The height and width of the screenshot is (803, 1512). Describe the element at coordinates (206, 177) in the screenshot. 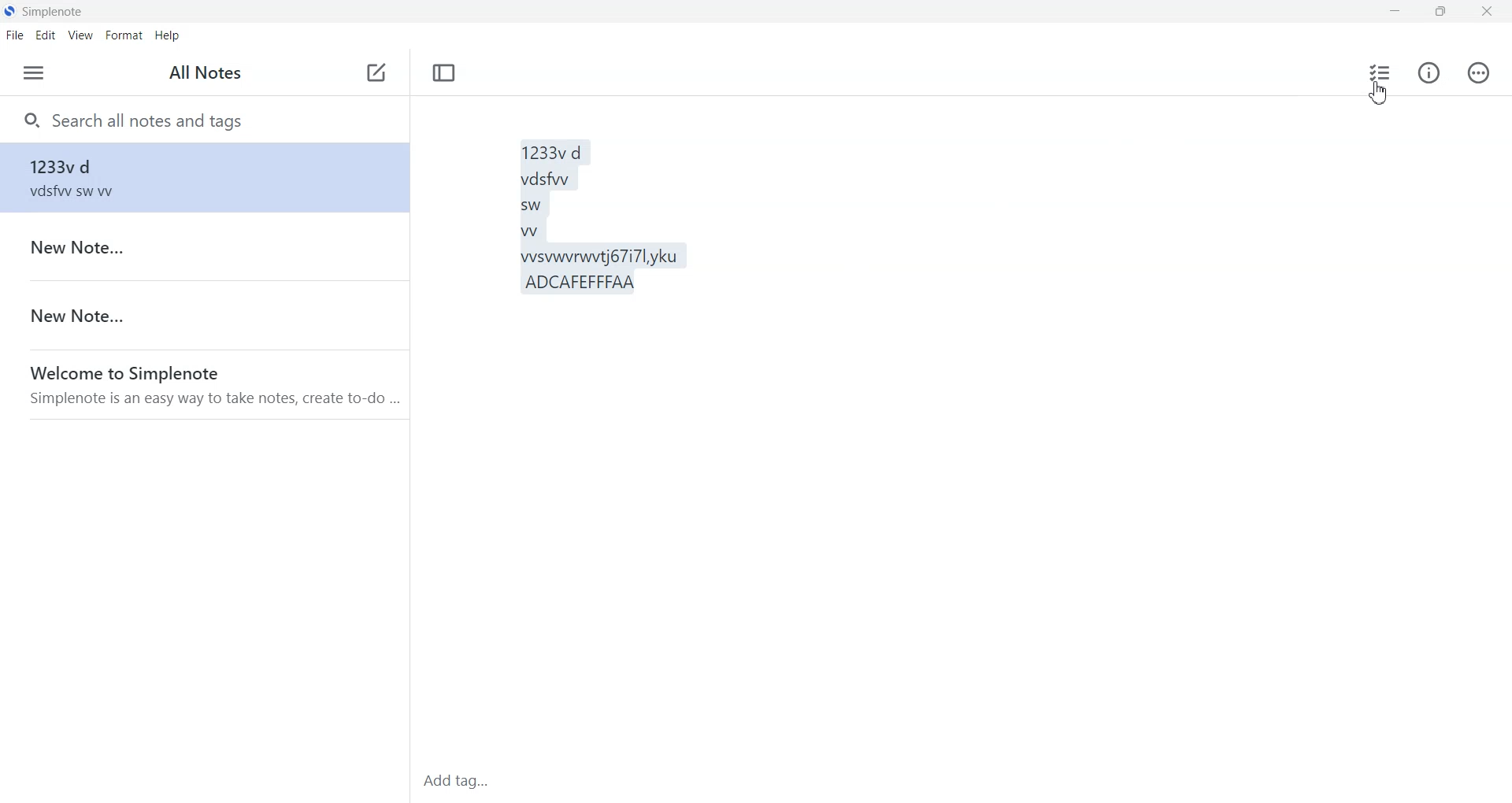

I see `Note file - 1233v d` at that location.